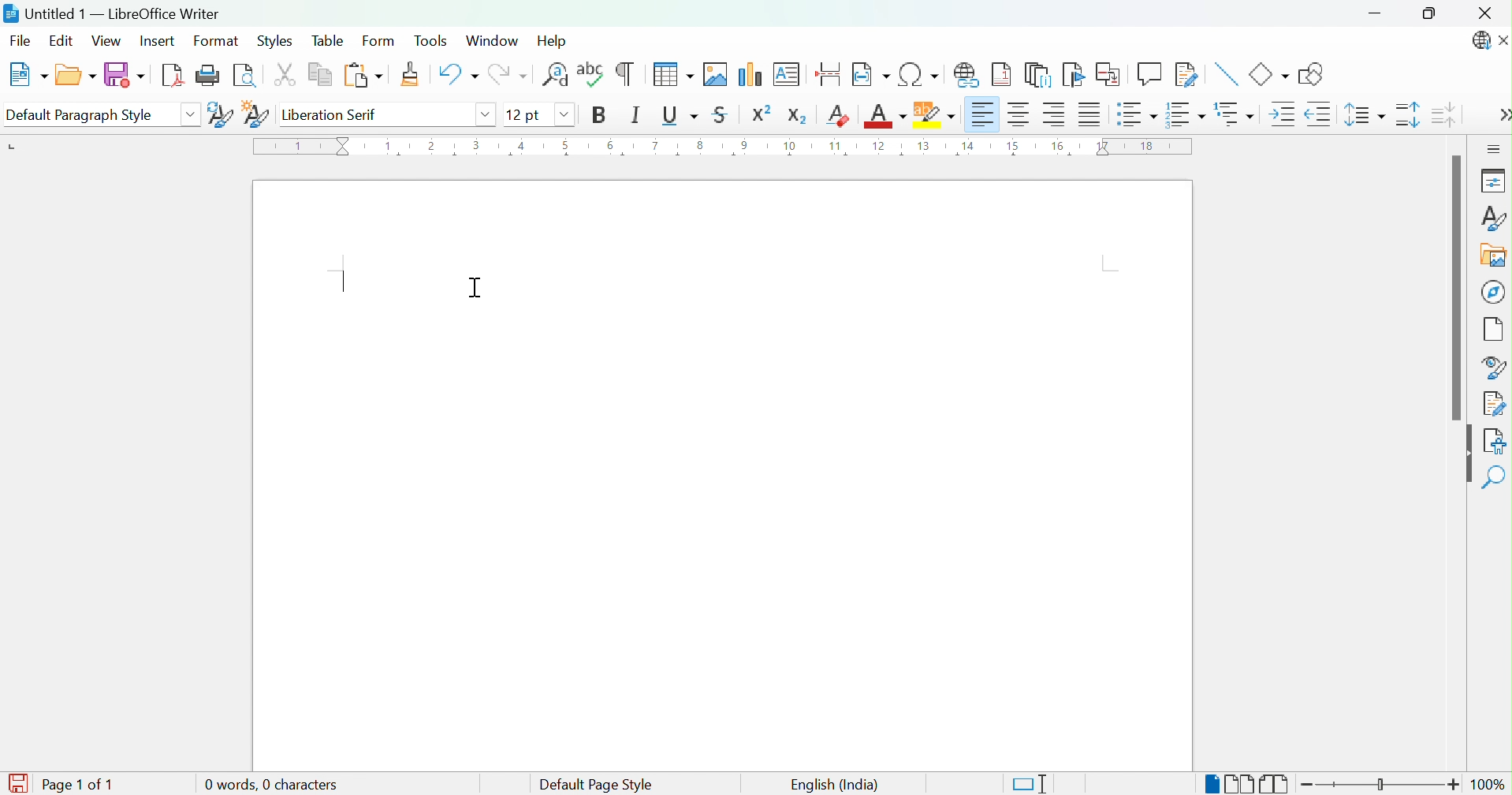  What do you see at coordinates (669, 74) in the screenshot?
I see `Insert Table` at bounding box center [669, 74].